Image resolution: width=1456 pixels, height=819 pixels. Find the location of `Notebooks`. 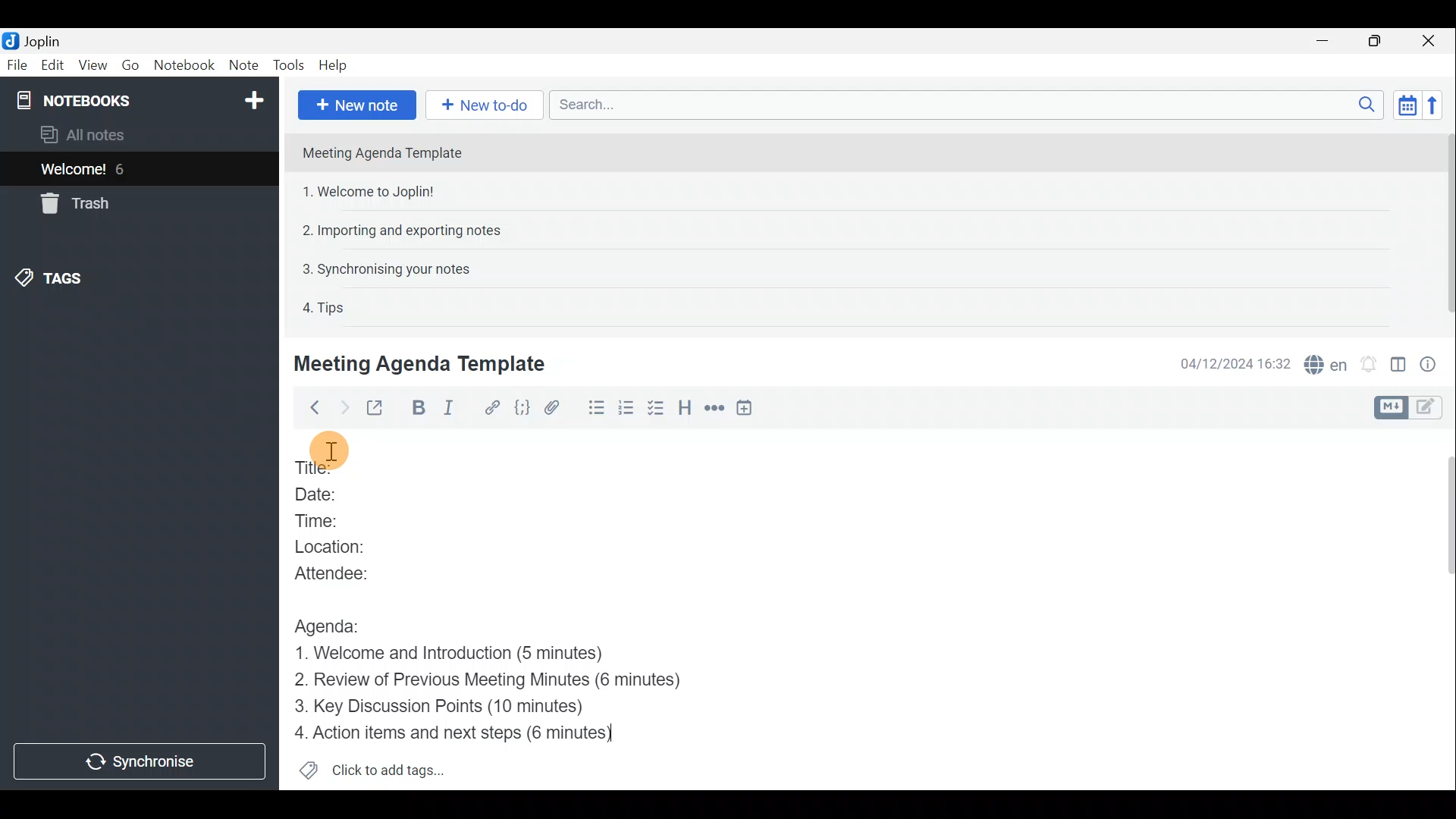

Notebooks is located at coordinates (142, 99).